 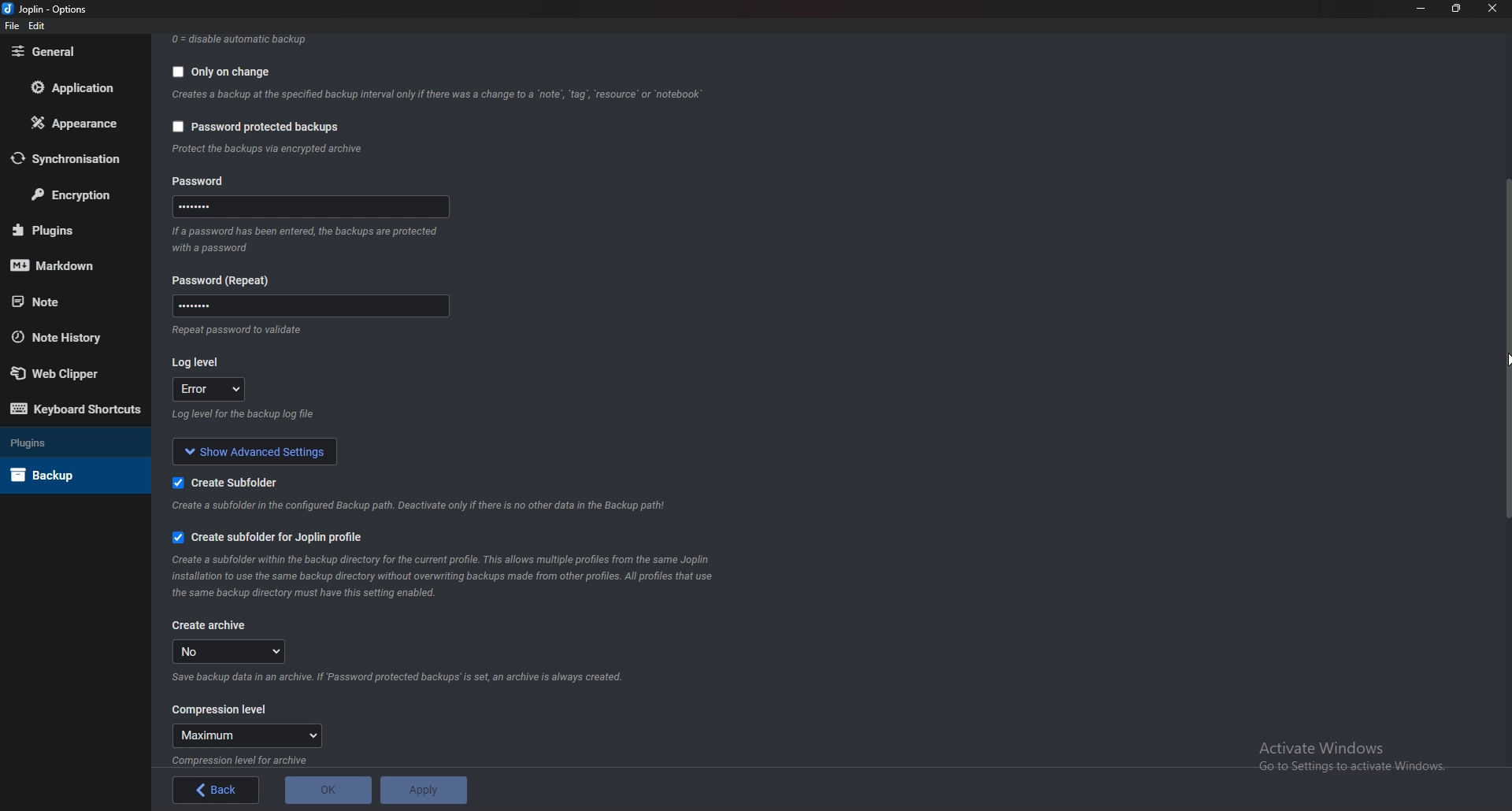 What do you see at coordinates (63, 441) in the screenshot?
I see `Plugins` at bounding box center [63, 441].